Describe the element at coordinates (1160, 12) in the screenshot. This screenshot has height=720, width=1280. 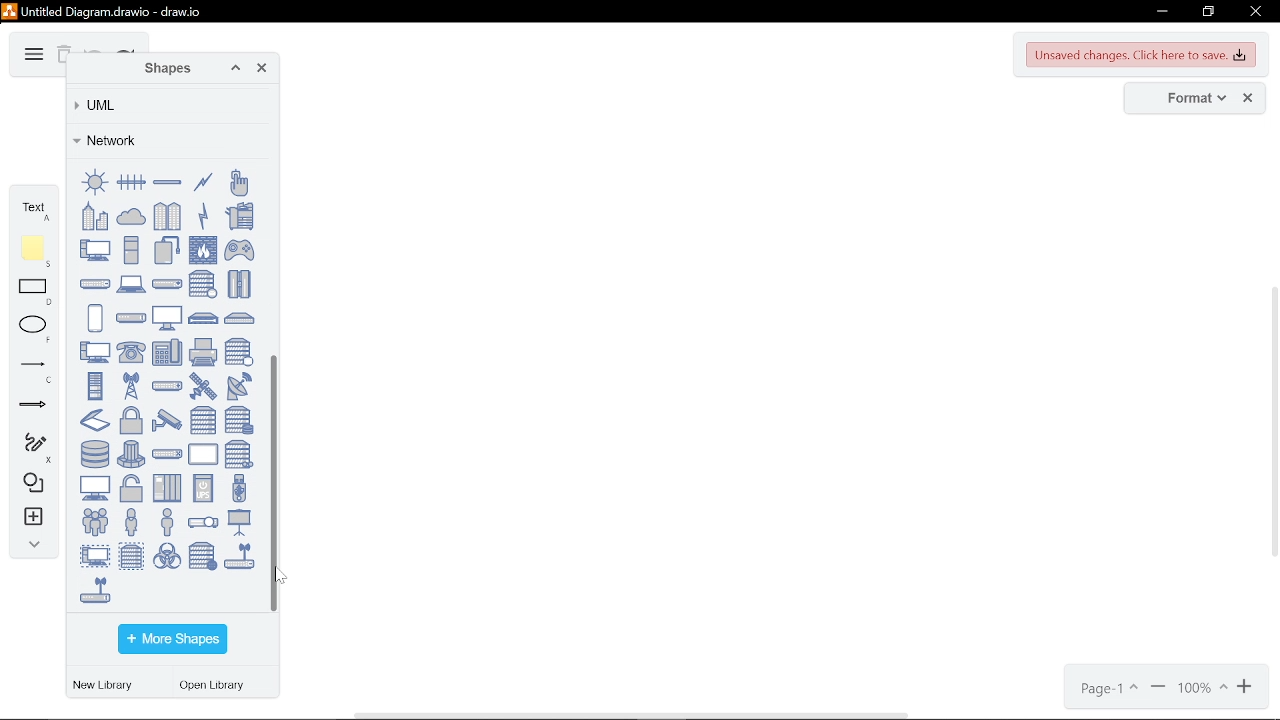
I see `minimize` at that location.